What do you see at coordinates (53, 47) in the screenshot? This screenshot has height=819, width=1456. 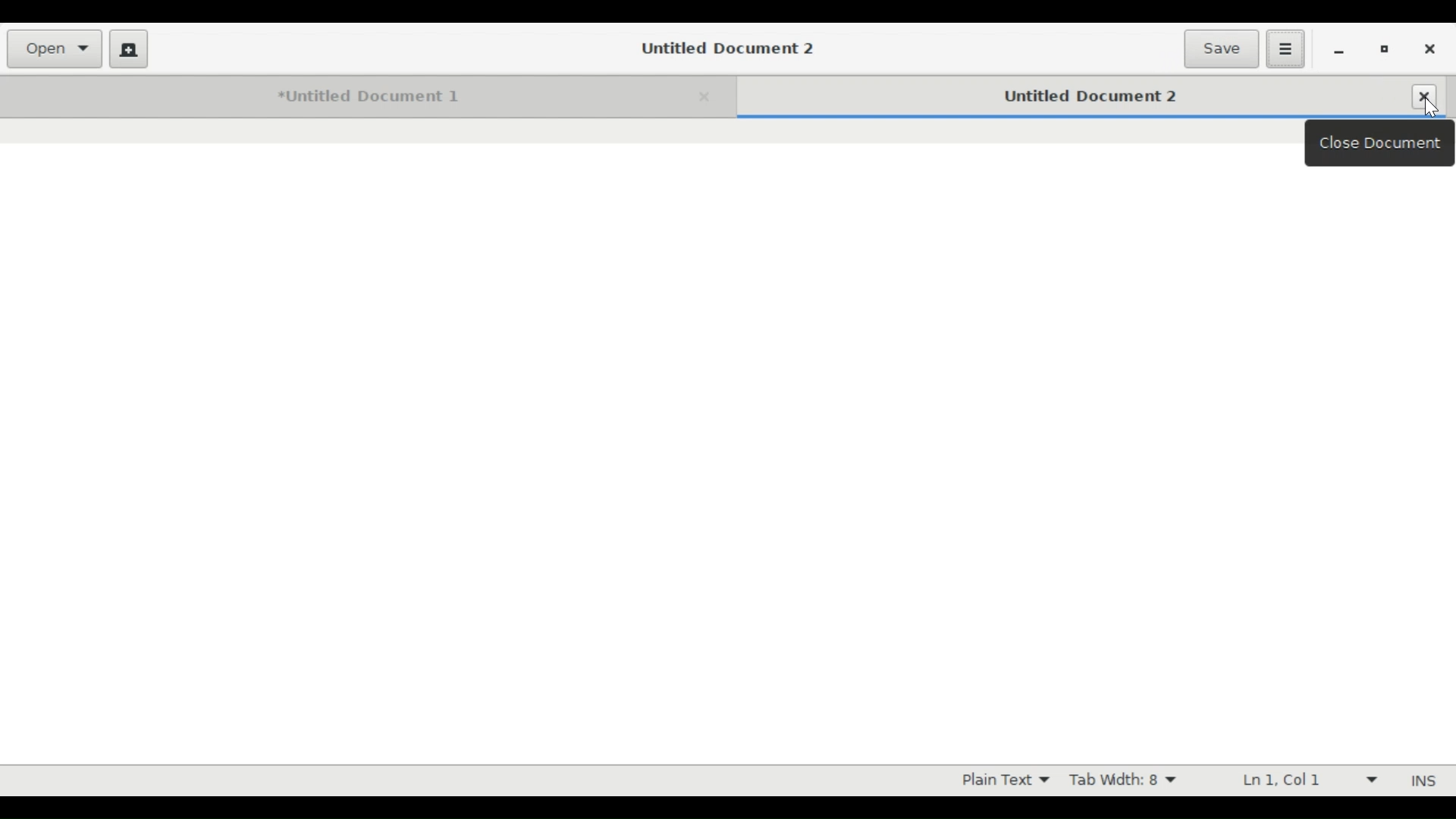 I see `open` at bounding box center [53, 47].